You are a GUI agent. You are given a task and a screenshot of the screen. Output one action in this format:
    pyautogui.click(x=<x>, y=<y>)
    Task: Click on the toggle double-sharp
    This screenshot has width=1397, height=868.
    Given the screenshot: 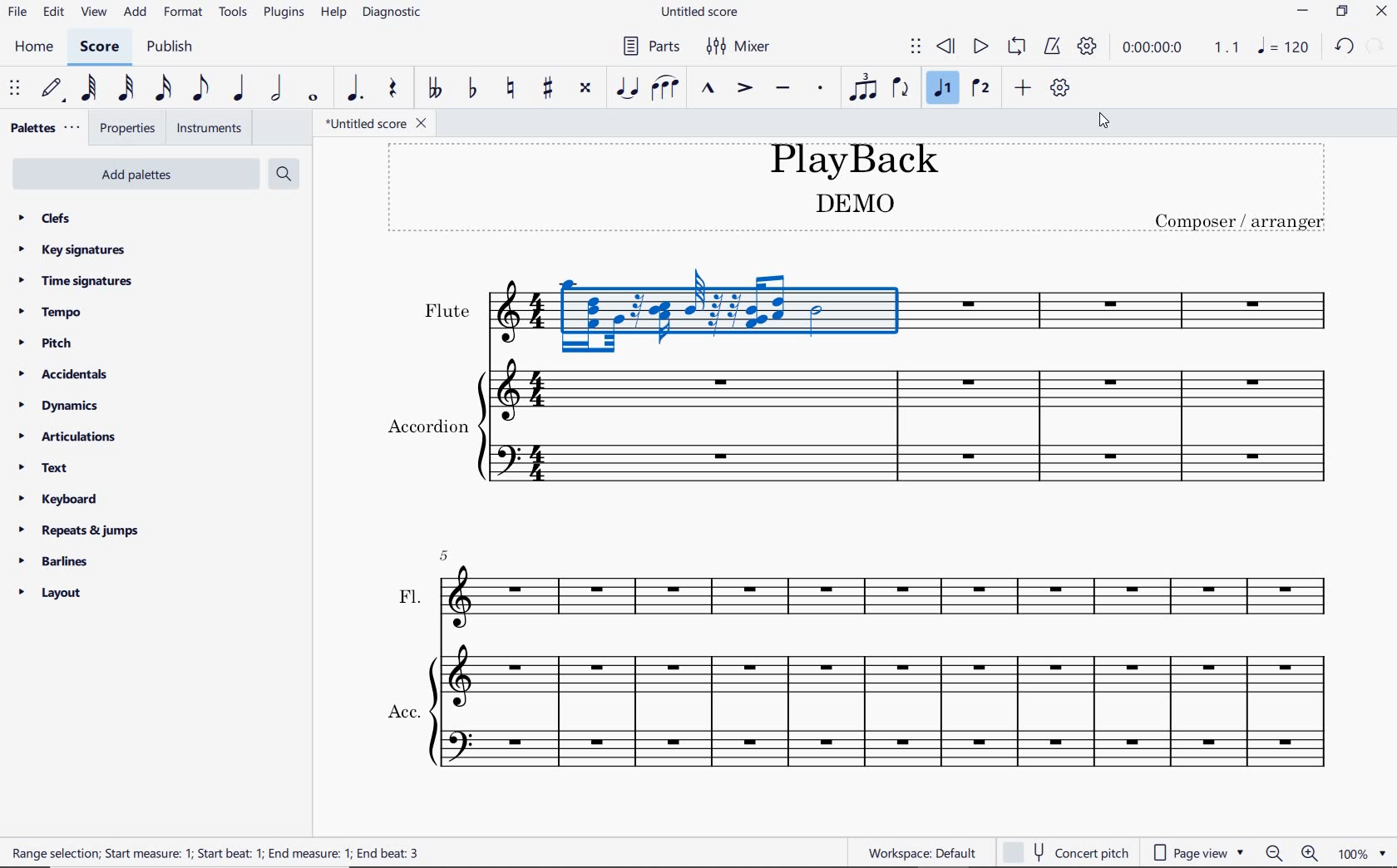 What is the action you would take?
    pyautogui.click(x=585, y=88)
    